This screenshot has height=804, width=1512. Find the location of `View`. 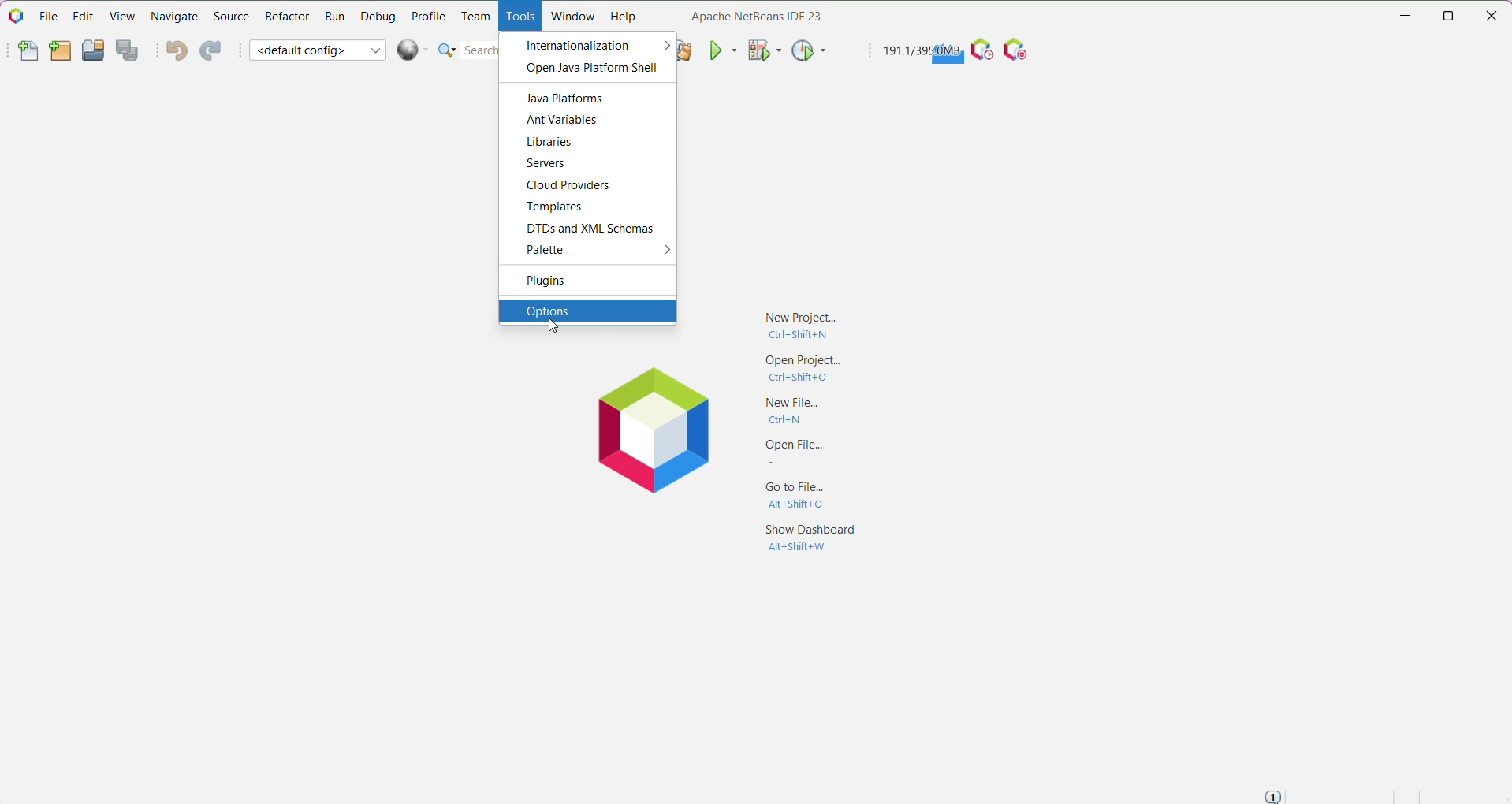

View is located at coordinates (121, 17).